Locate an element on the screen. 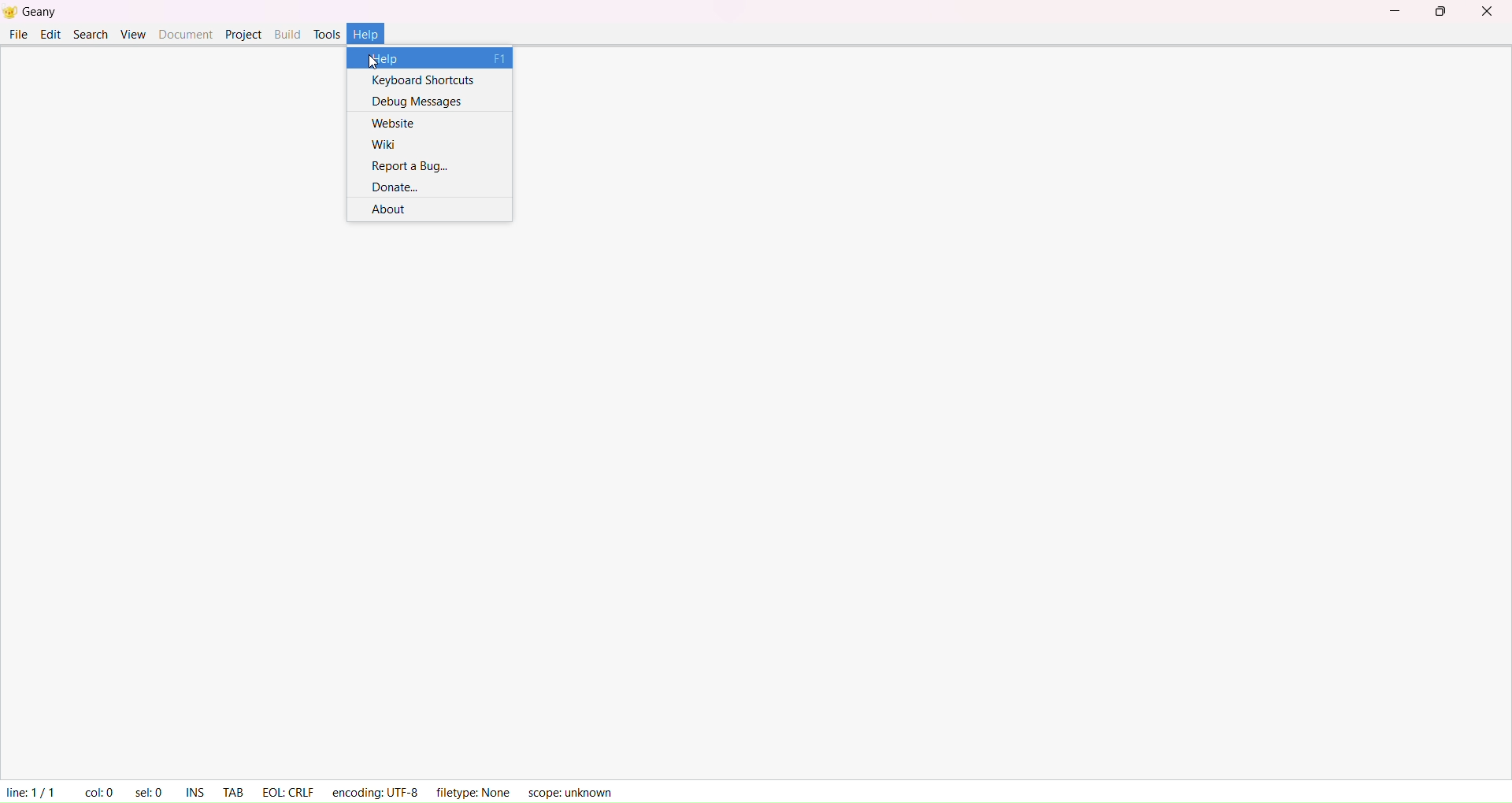 This screenshot has width=1512, height=803. Coding area is located at coordinates (756, 497).